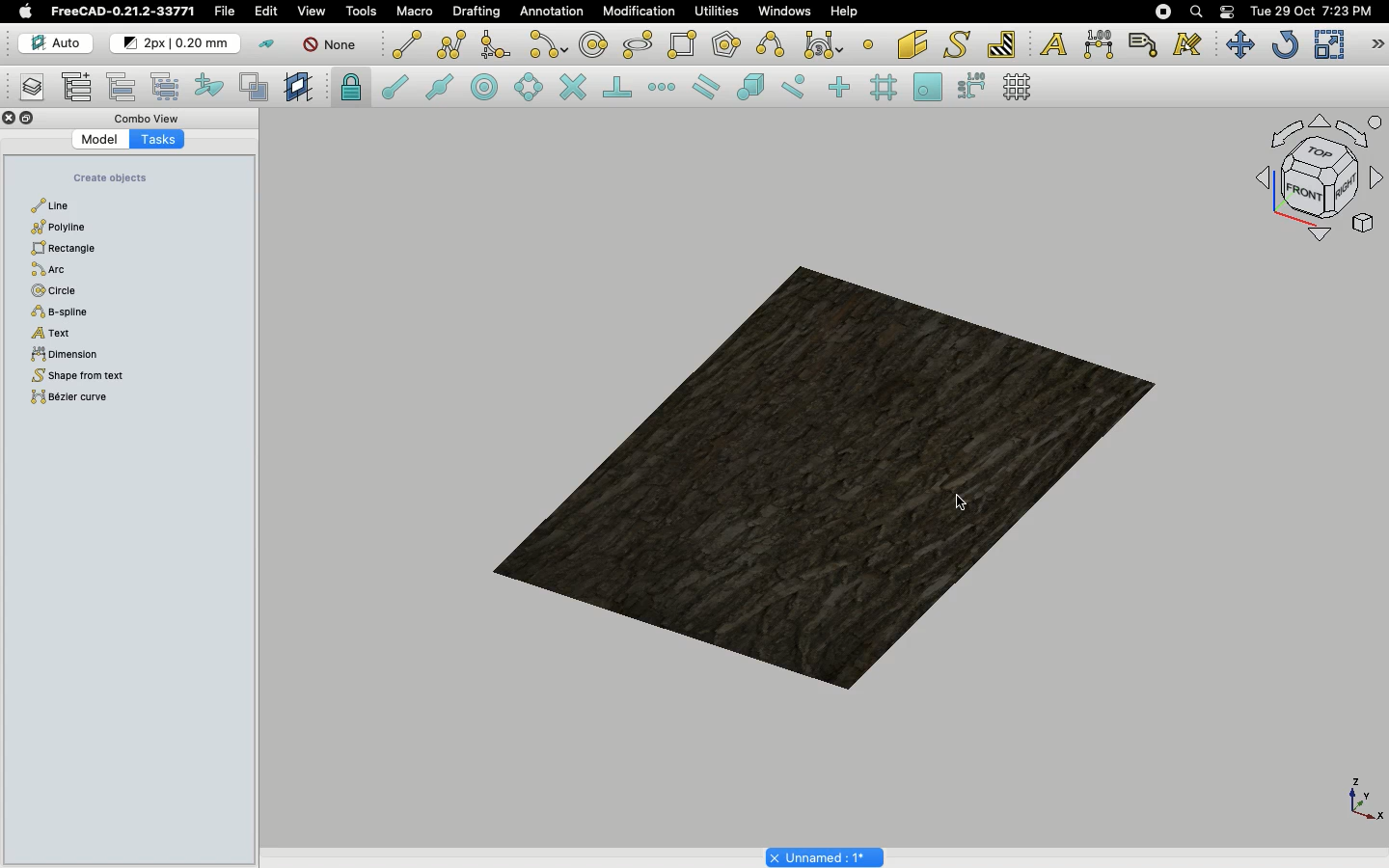 The image size is (1389, 868). Describe the element at coordinates (1053, 42) in the screenshot. I see `Text` at that location.